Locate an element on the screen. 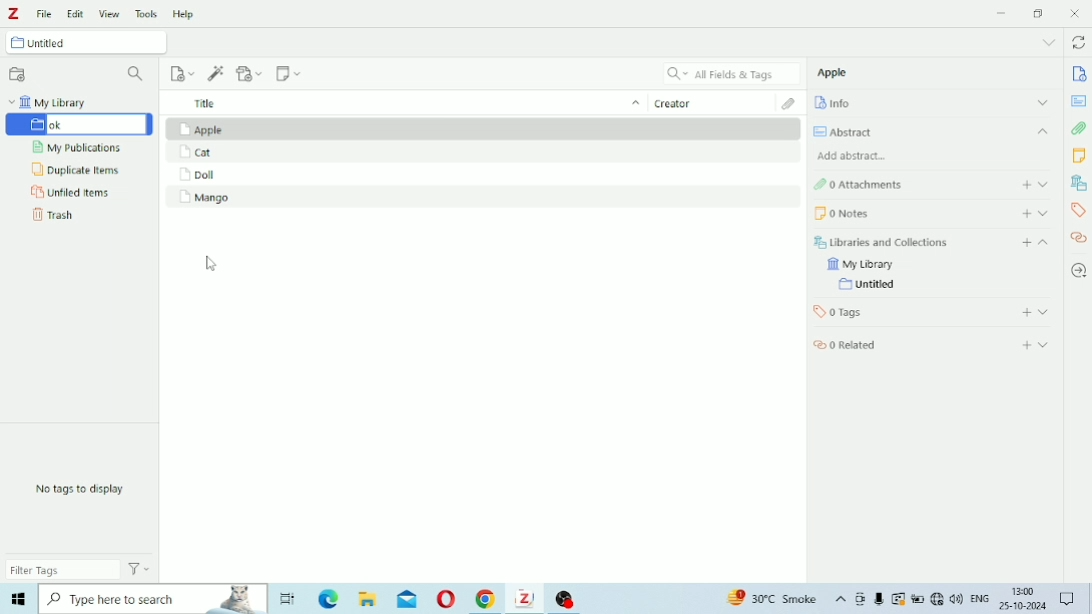  Info is located at coordinates (1080, 75).